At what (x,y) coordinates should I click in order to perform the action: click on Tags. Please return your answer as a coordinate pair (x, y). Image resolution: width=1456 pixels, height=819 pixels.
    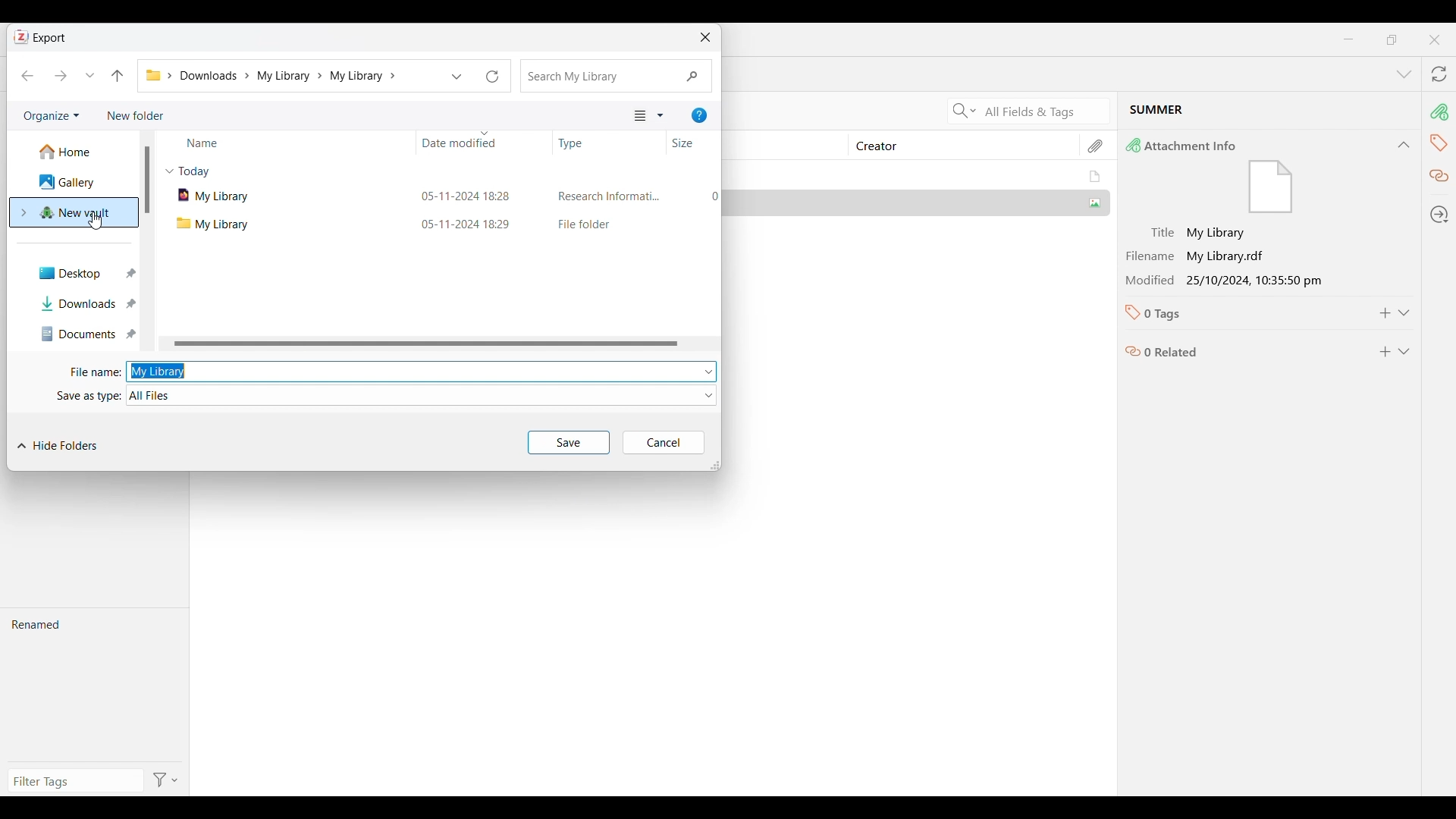
    Looking at the image, I should click on (1439, 144).